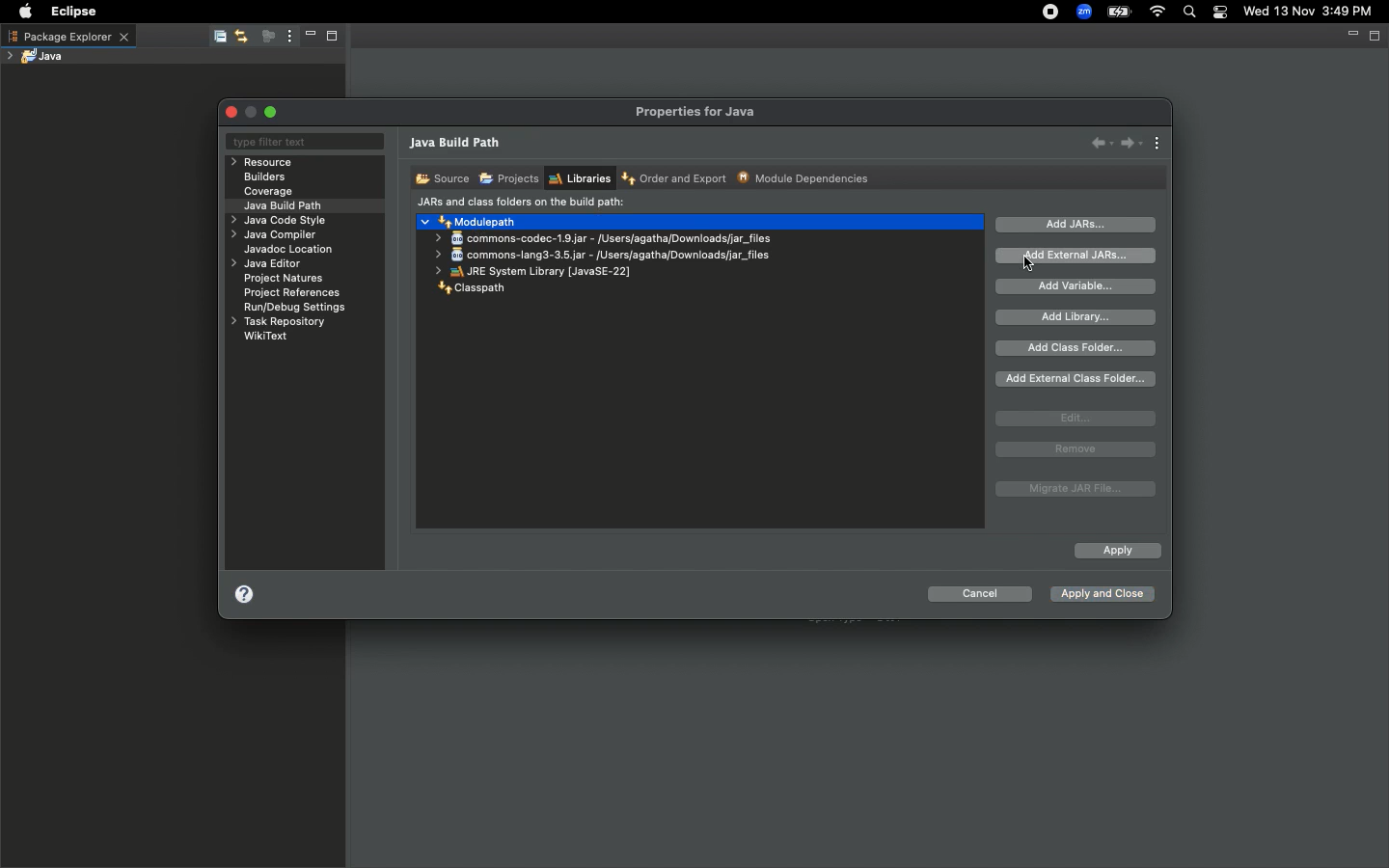  What do you see at coordinates (287, 281) in the screenshot?
I see `Project natures` at bounding box center [287, 281].